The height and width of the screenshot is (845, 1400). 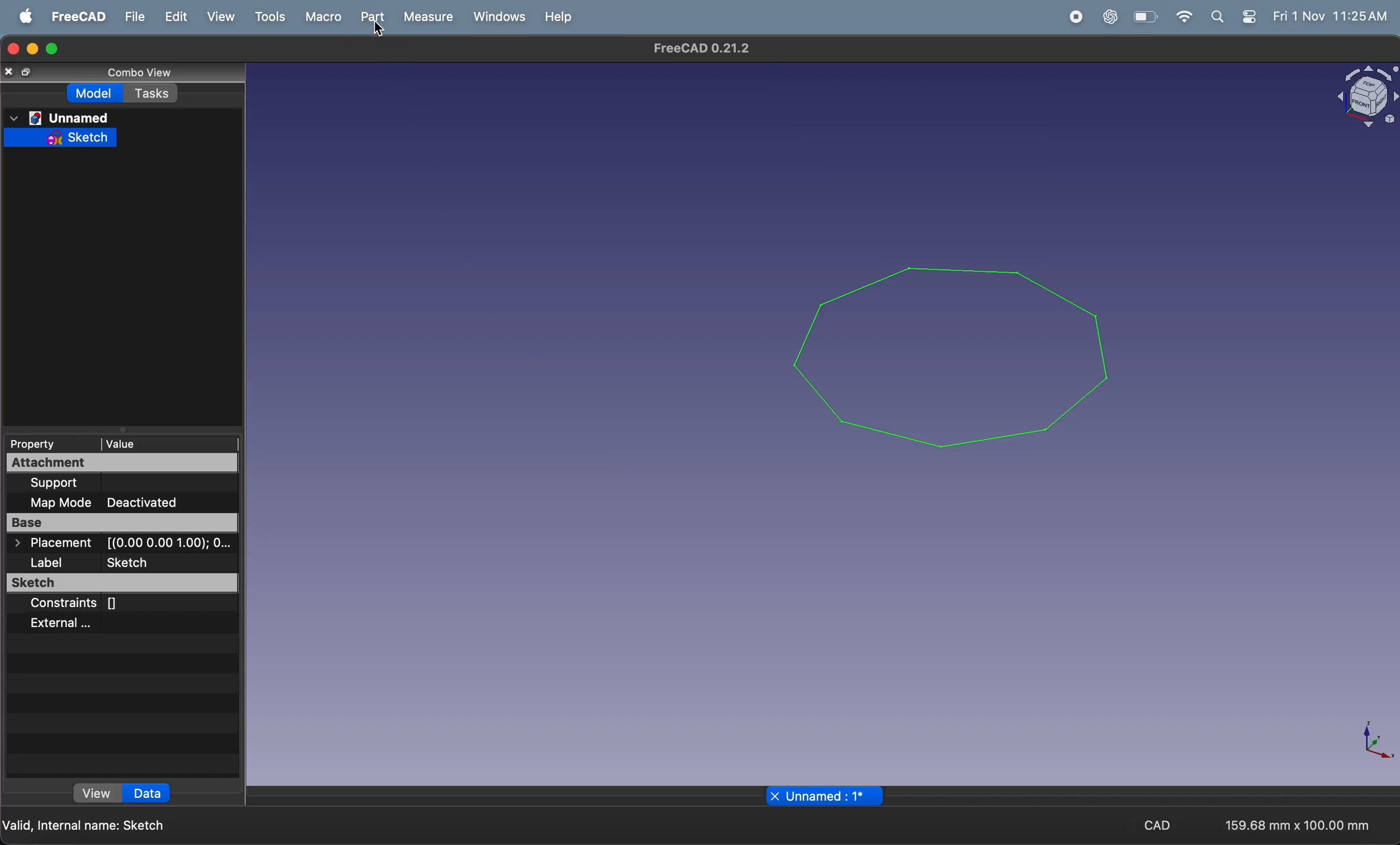 What do you see at coordinates (1359, 97) in the screenshot?
I see `object view` at bounding box center [1359, 97].